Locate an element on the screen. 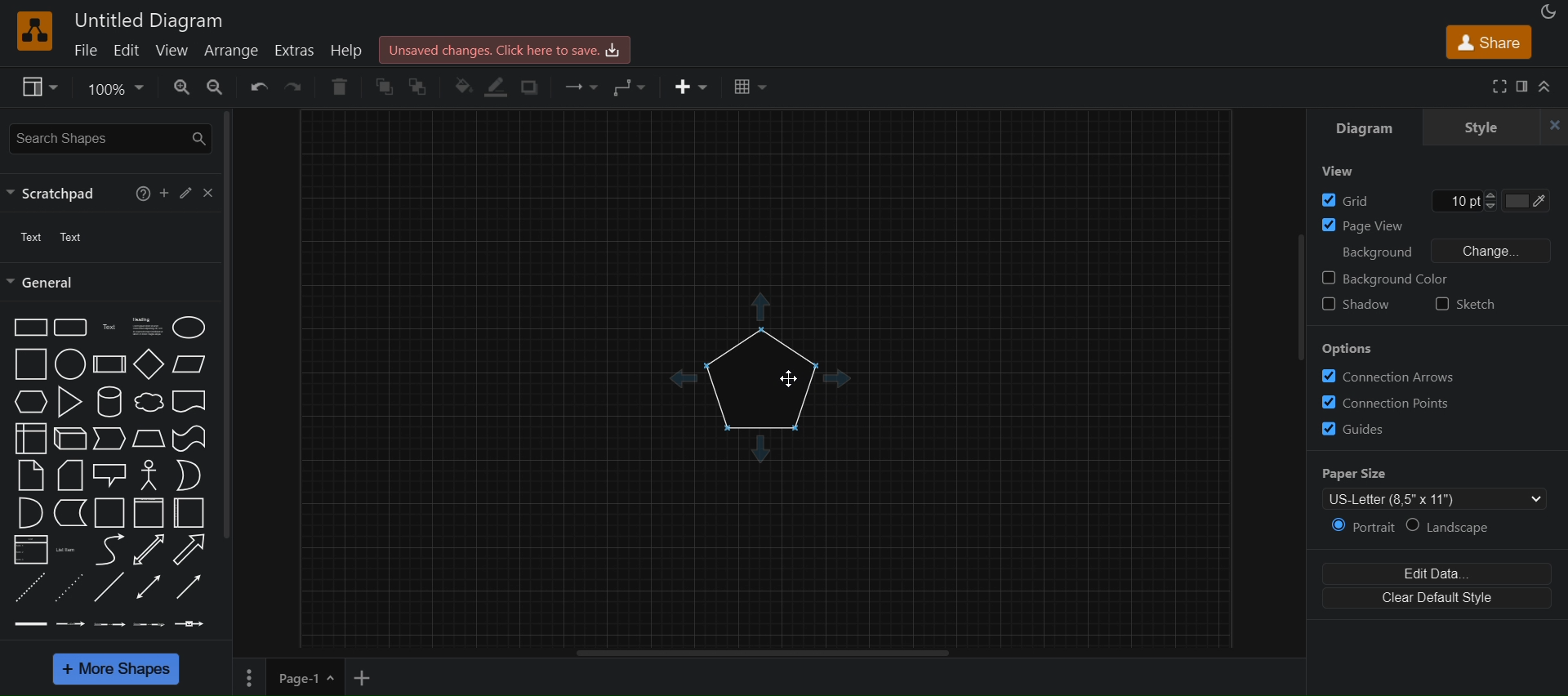  file is located at coordinates (88, 48).